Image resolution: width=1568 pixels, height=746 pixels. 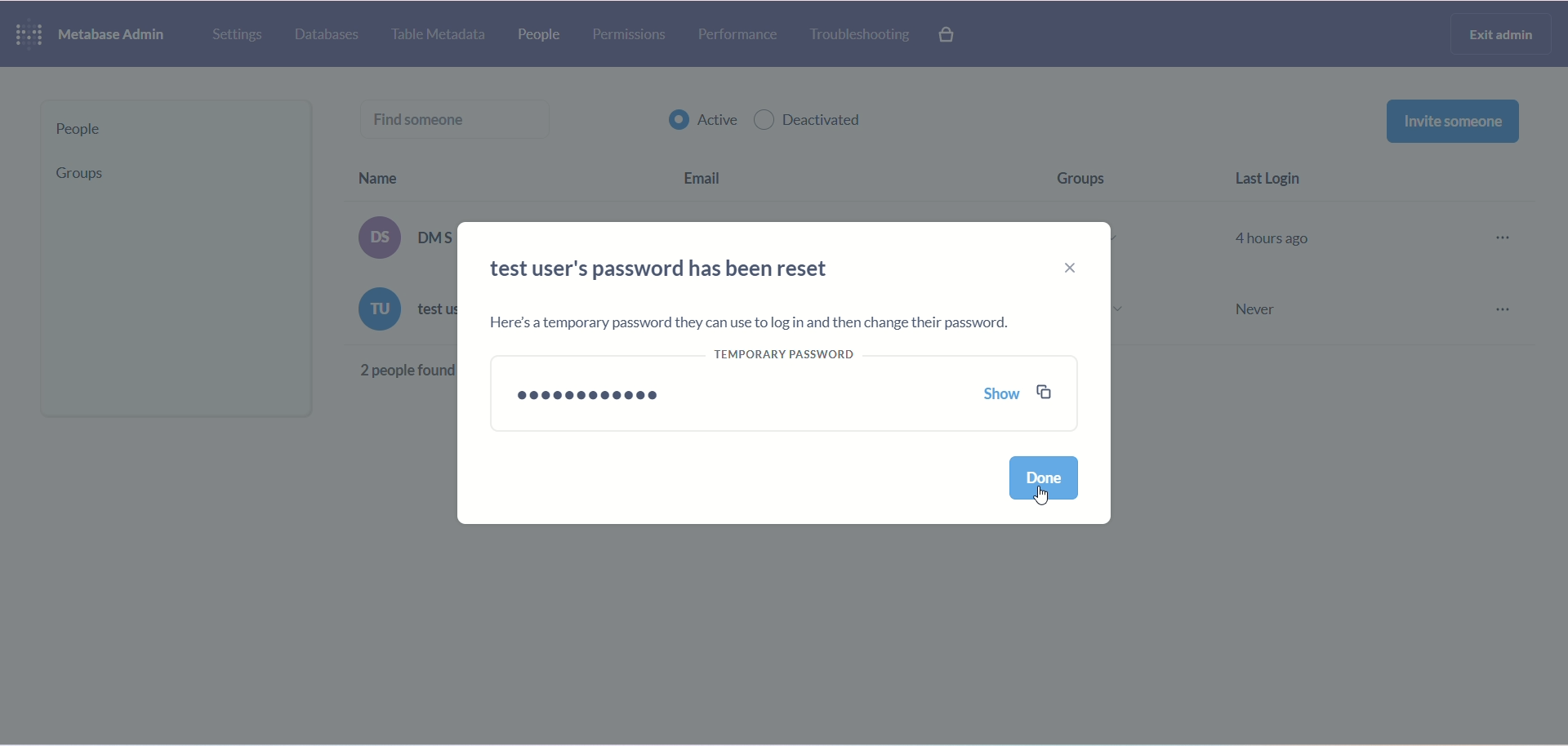 I want to click on Never, so click(x=1259, y=312).